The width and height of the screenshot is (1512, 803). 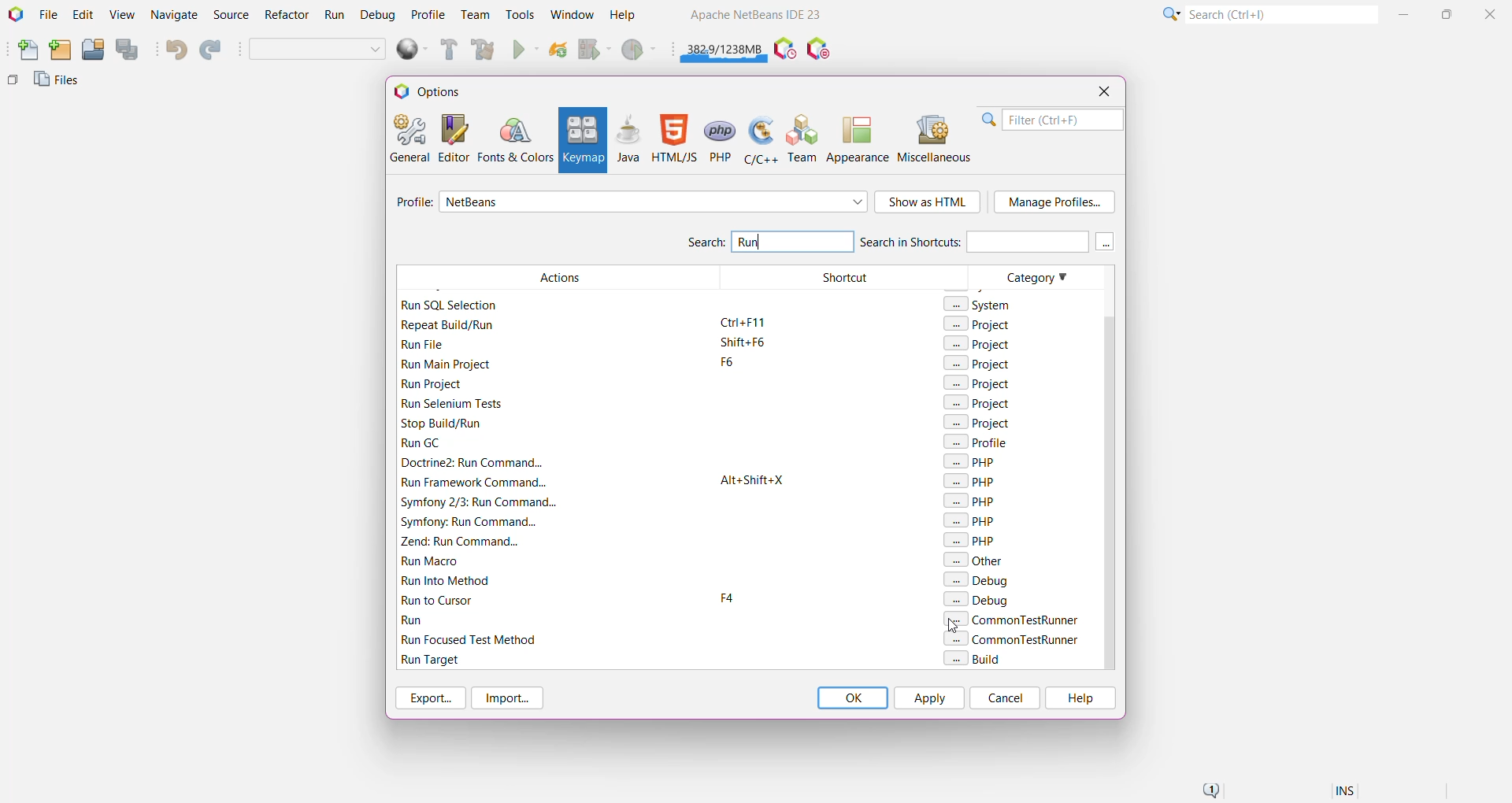 What do you see at coordinates (233, 15) in the screenshot?
I see `Source` at bounding box center [233, 15].